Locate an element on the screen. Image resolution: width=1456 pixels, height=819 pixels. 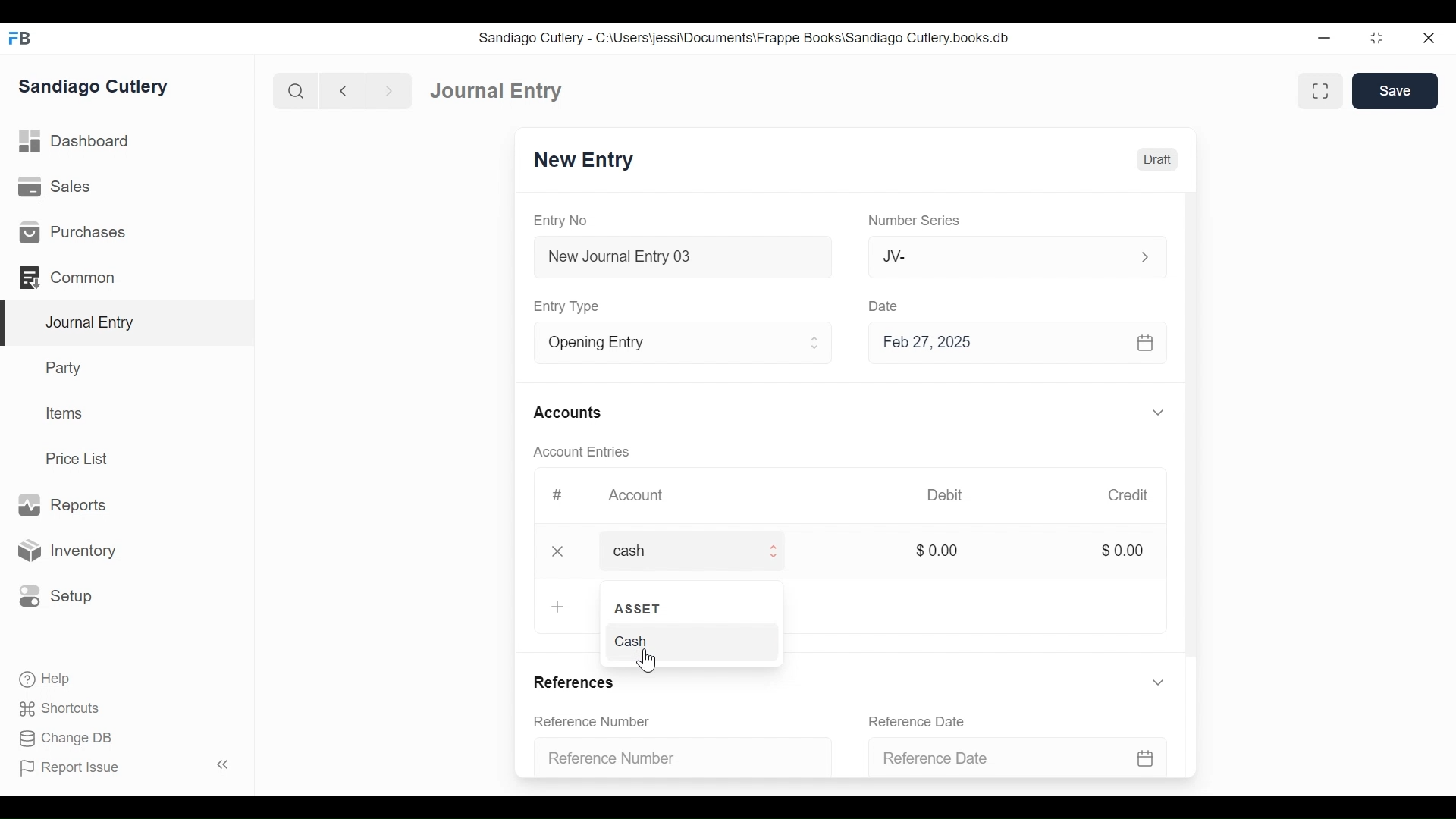
Account is located at coordinates (639, 496).